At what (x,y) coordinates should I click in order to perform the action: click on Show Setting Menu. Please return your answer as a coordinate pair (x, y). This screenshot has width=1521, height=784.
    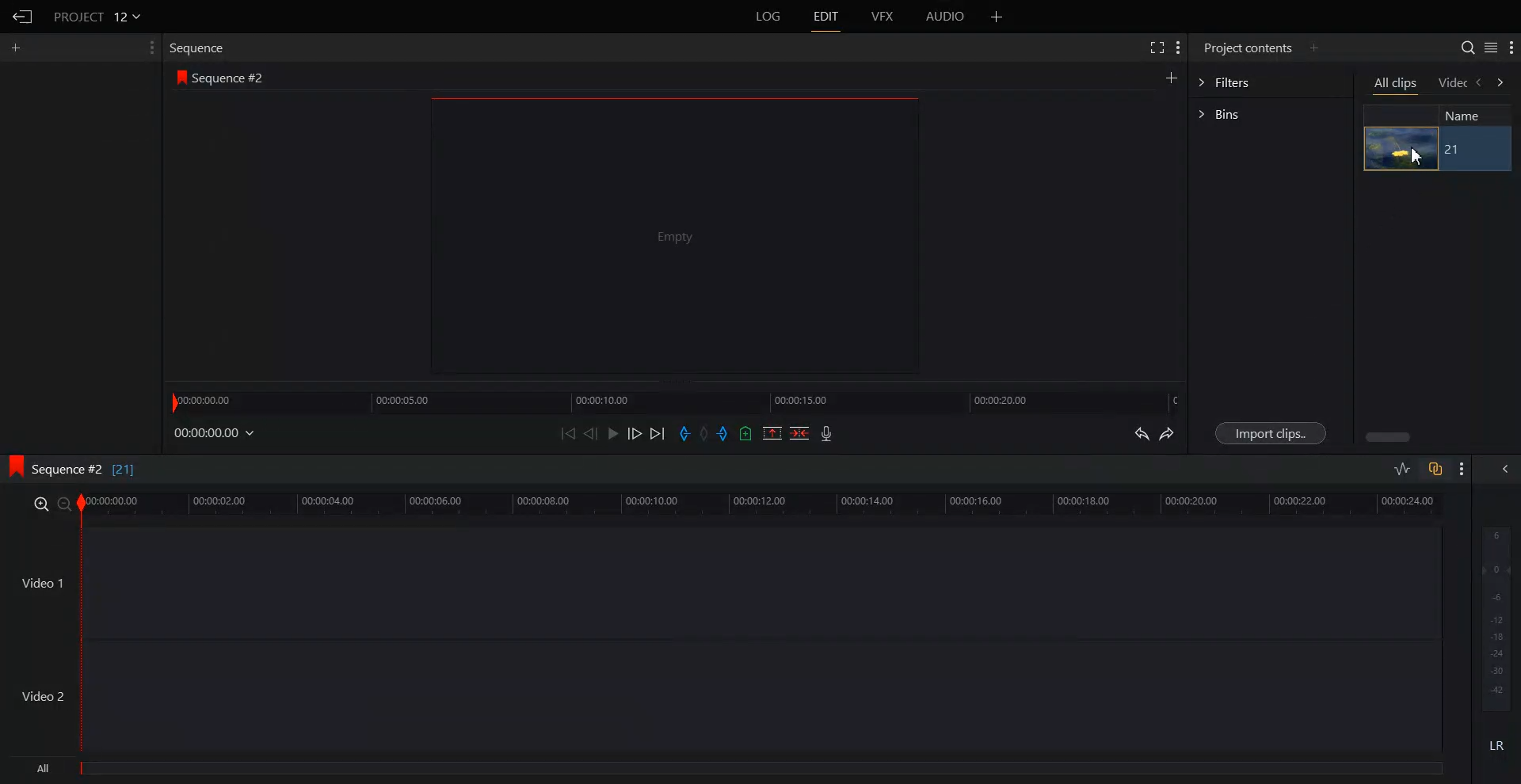
    Looking at the image, I should click on (150, 48).